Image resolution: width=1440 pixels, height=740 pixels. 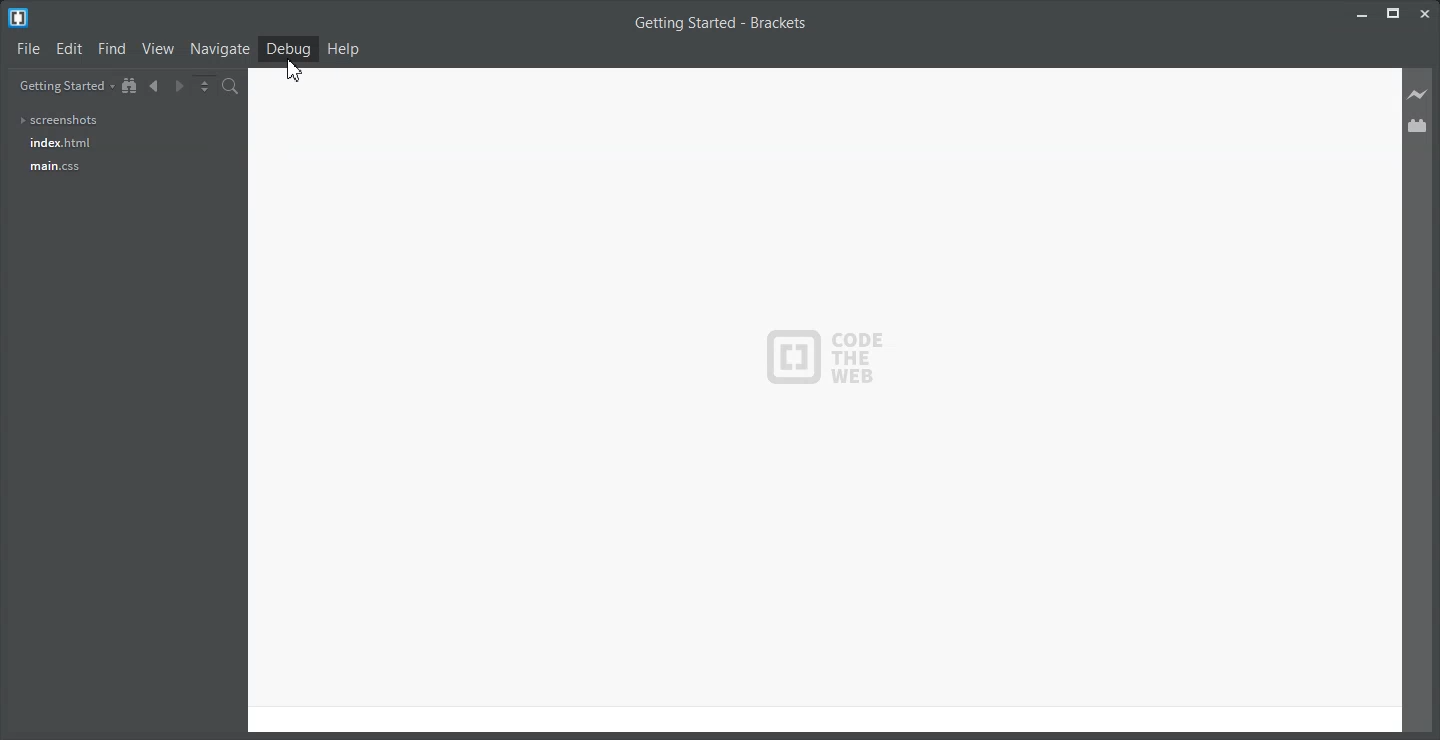 I want to click on Split the editor vertically or Horizontally, so click(x=204, y=86).